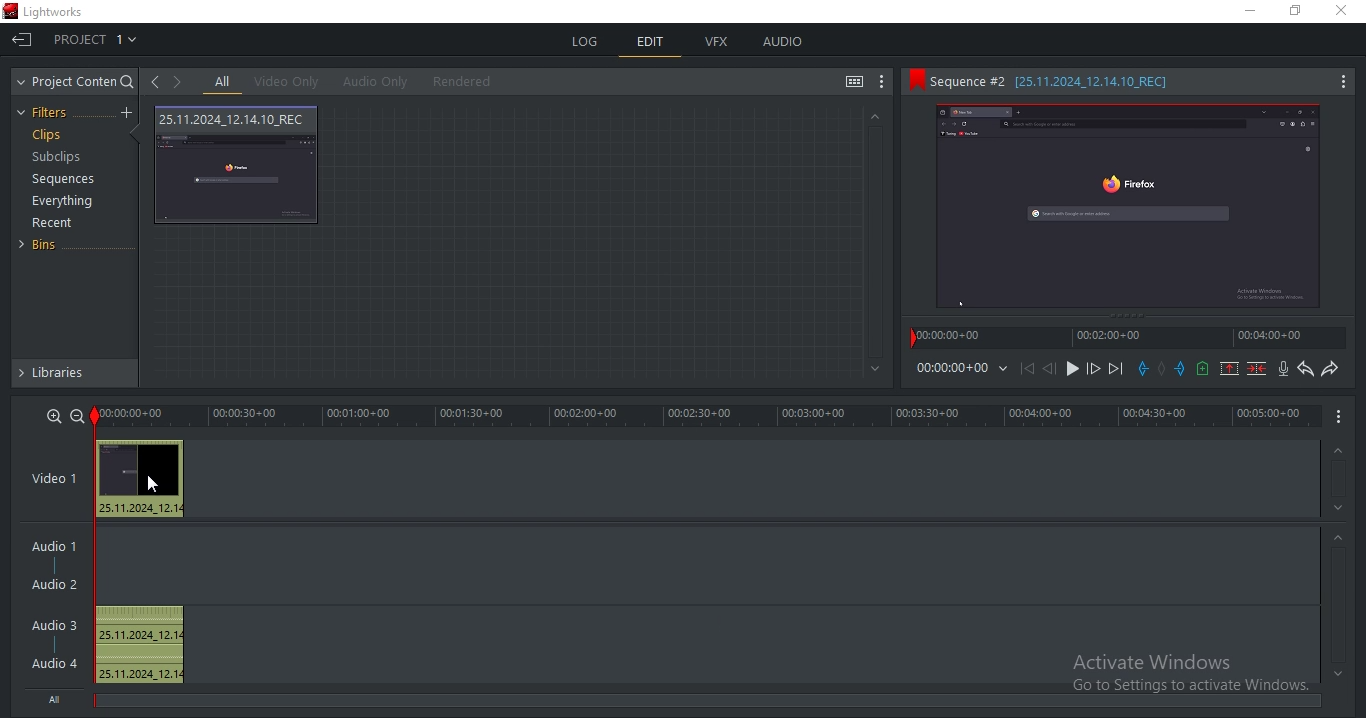 The image size is (1366, 718). What do you see at coordinates (97, 42) in the screenshot?
I see `project 1` at bounding box center [97, 42].